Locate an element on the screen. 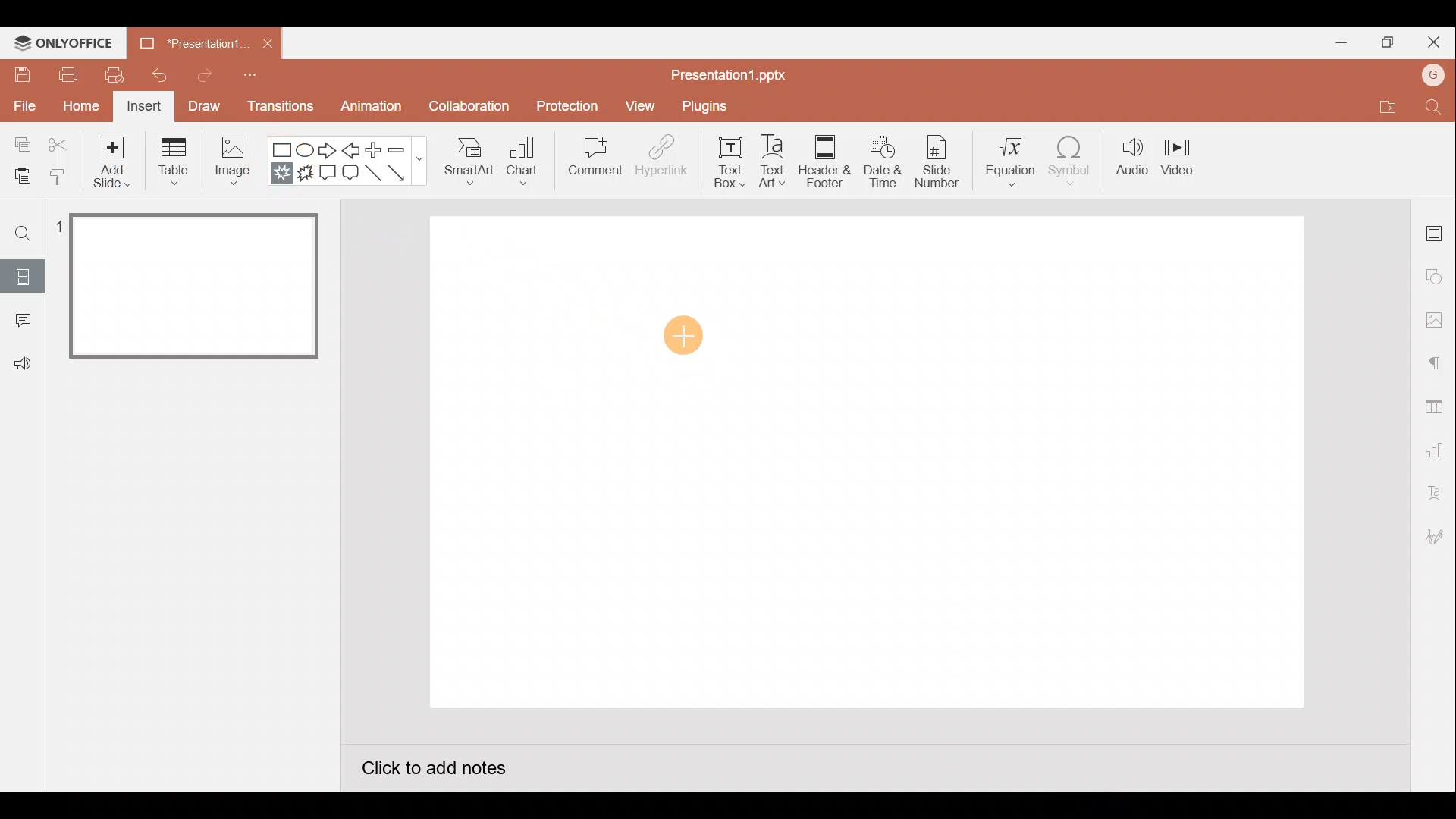 This screenshot has width=1456, height=819. Plugins is located at coordinates (704, 103).